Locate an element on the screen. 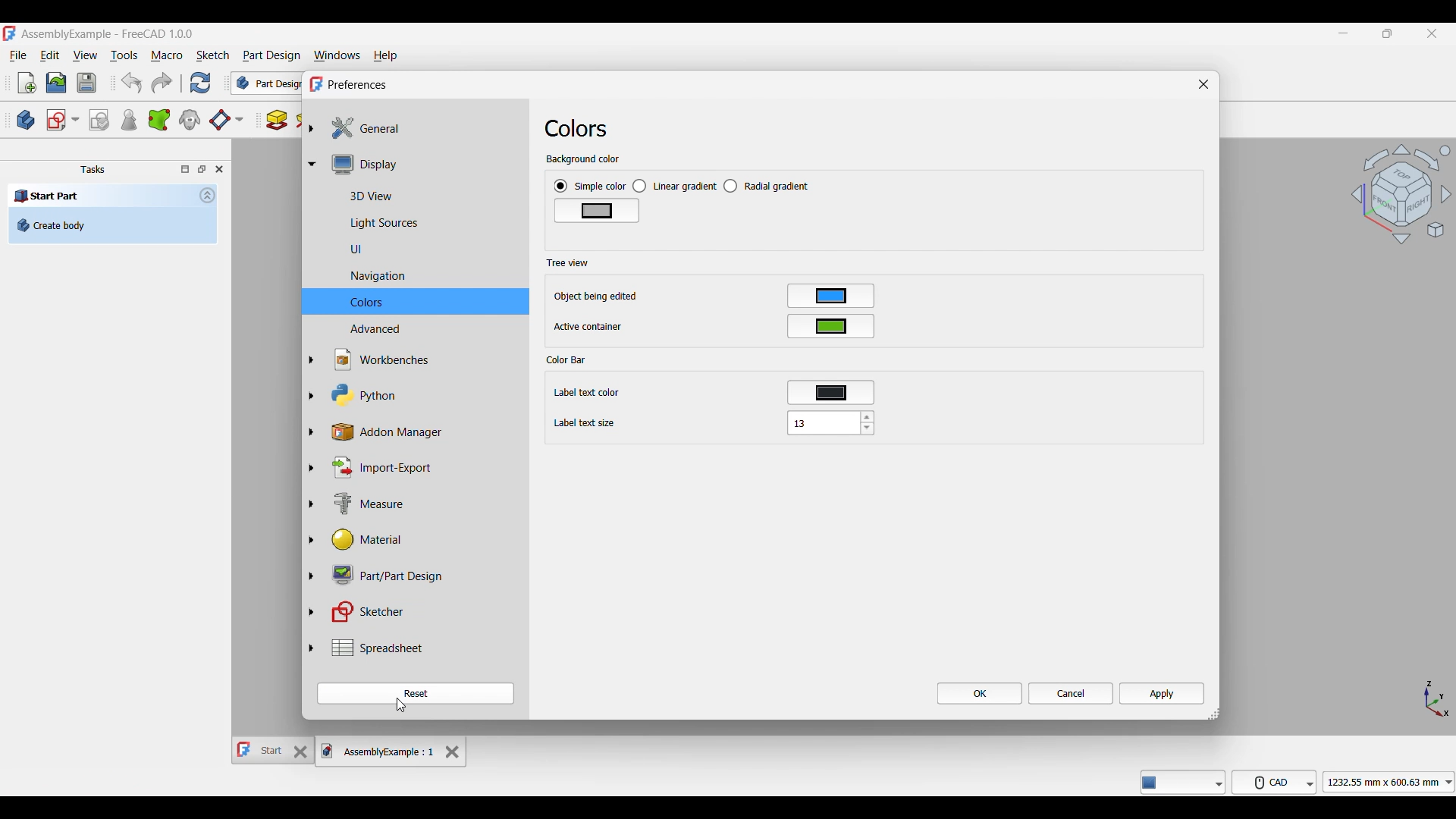  3D view is located at coordinates (353, 196).